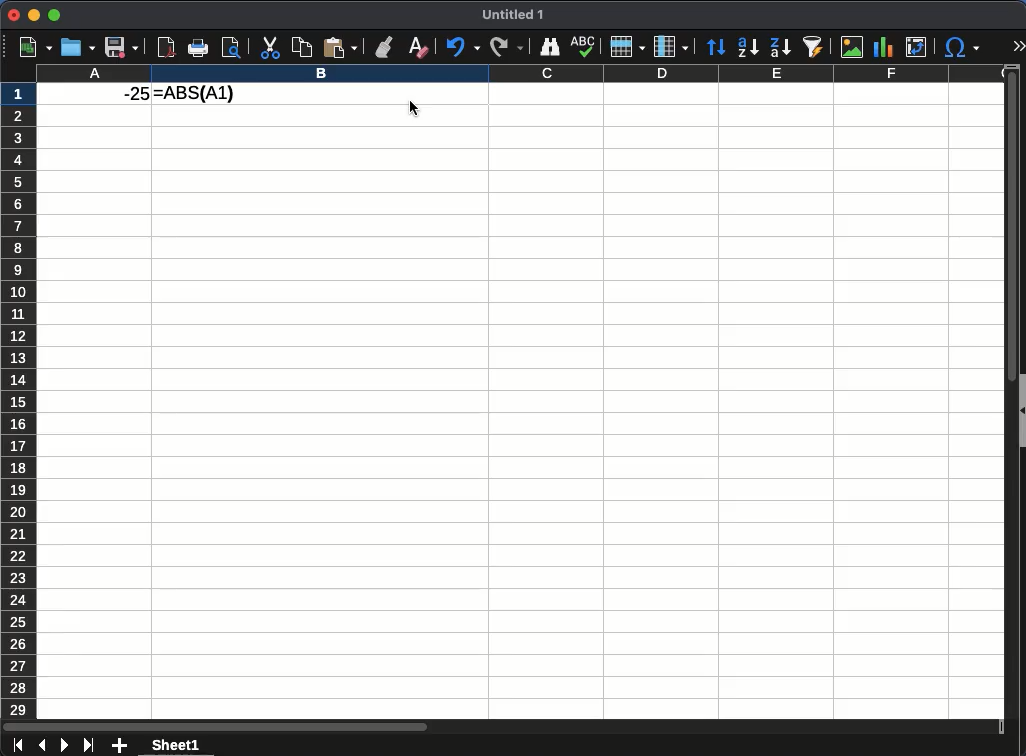 The image size is (1026, 756). I want to click on last sheet, so click(89, 745).